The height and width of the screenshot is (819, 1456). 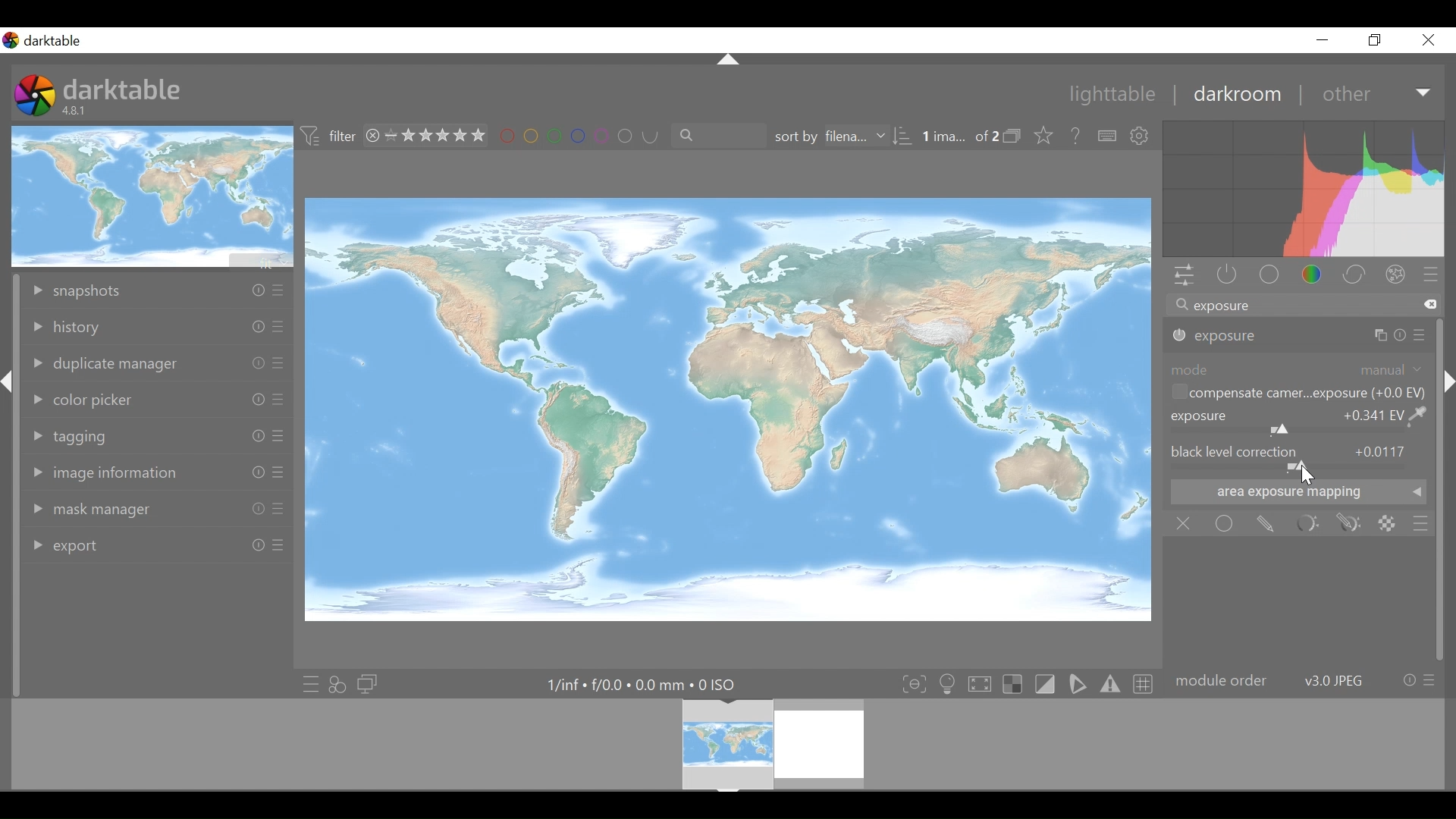 What do you see at coordinates (1268, 522) in the screenshot?
I see `drawn mask` at bounding box center [1268, 522].